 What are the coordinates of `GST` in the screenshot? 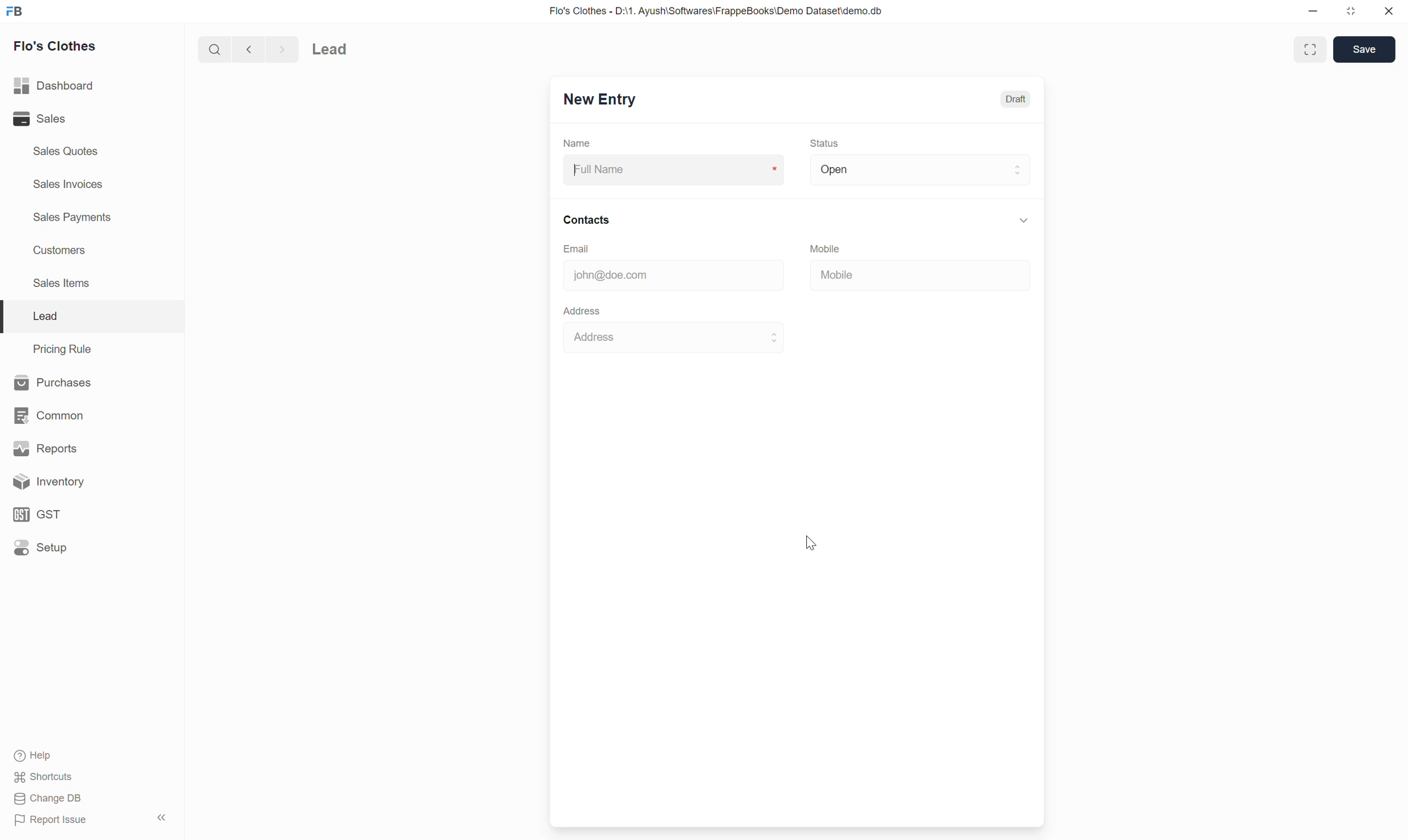 It's located at (39, 515).